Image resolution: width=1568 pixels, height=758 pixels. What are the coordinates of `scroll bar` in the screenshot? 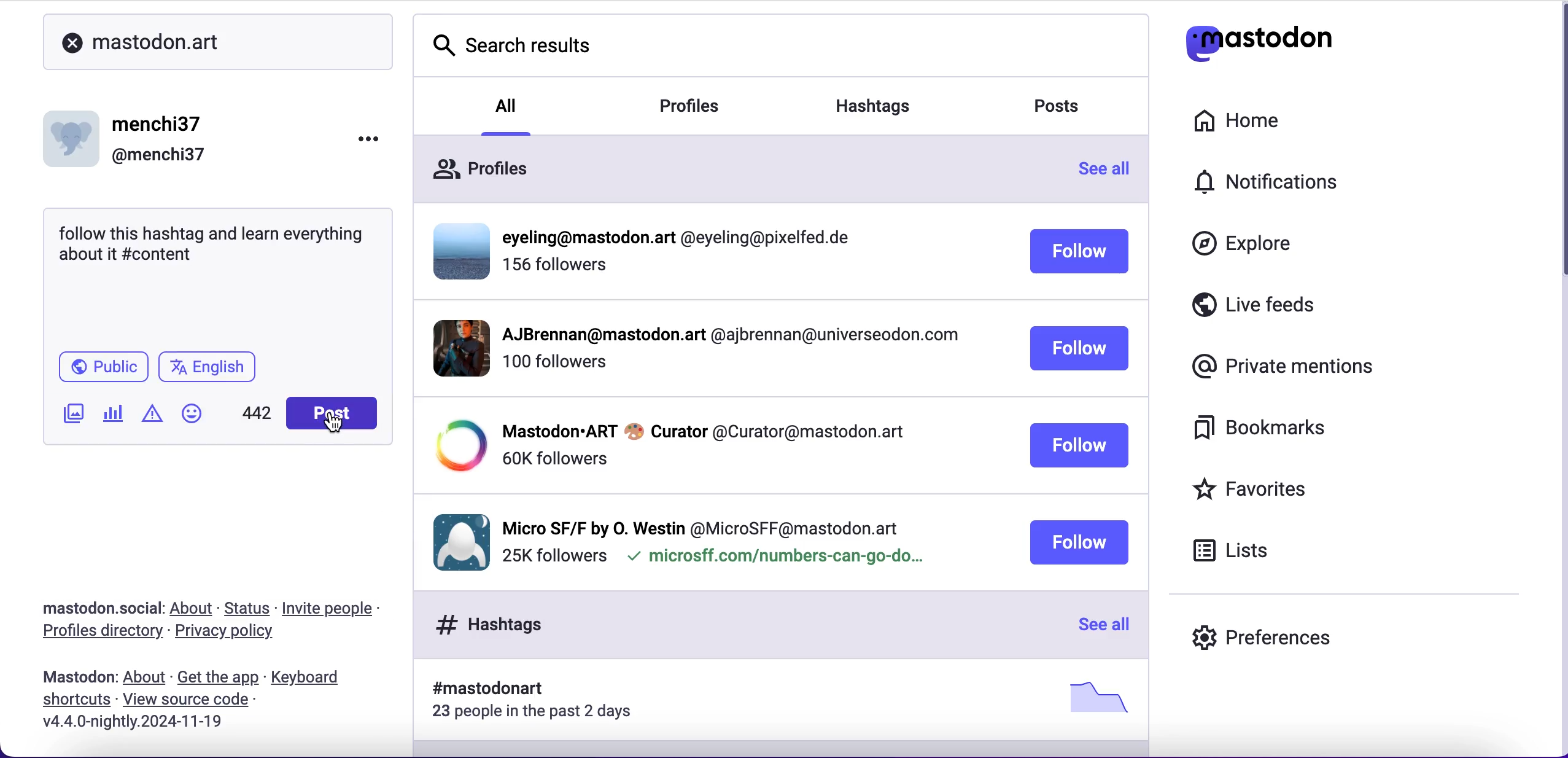 It's located at (1557, 147).